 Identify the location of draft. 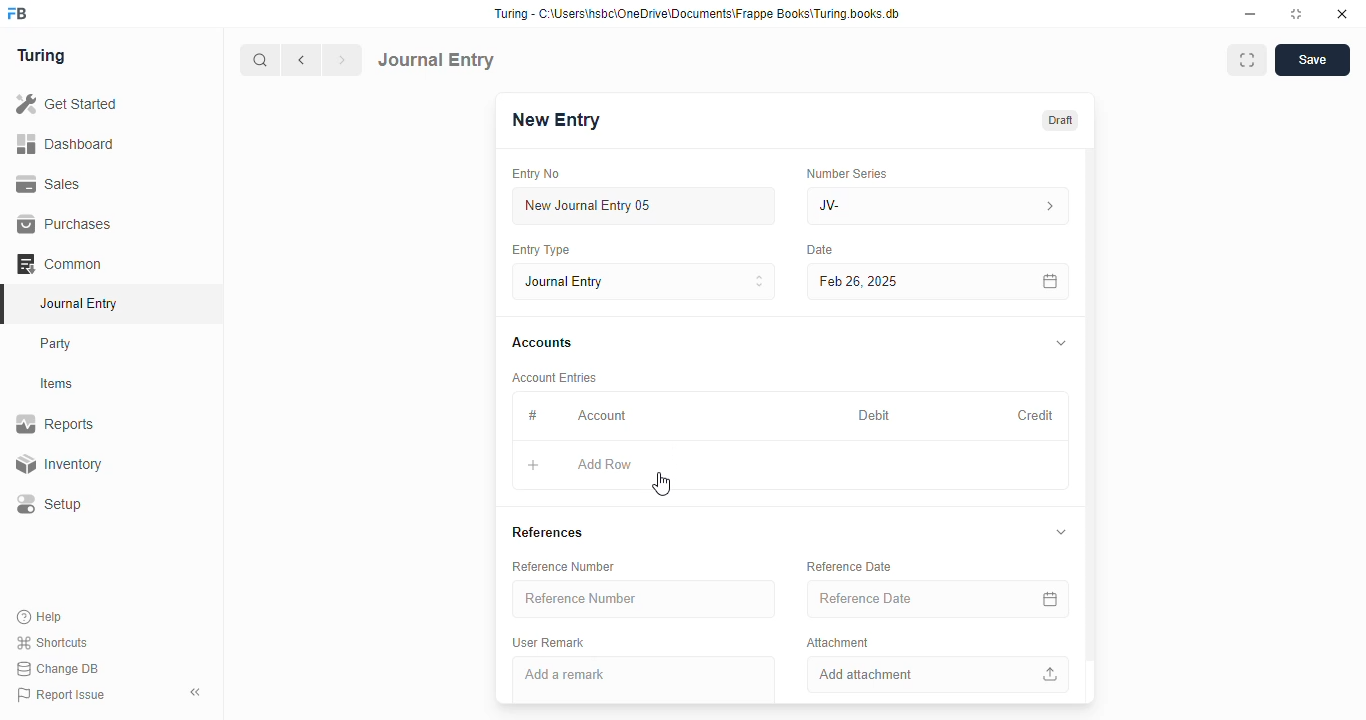
(1059, 120).